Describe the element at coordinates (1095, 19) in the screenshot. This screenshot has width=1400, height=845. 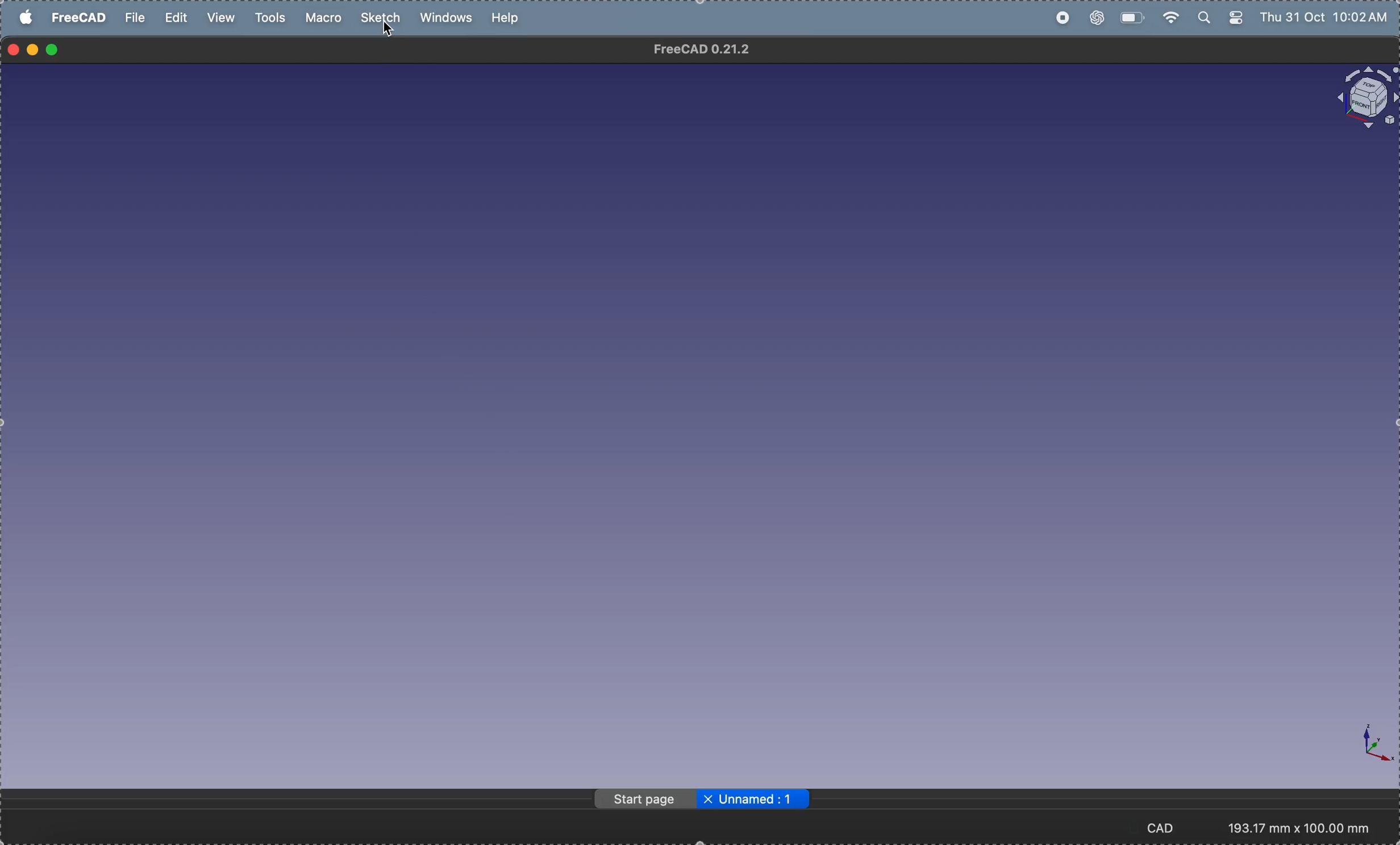
I see `chatgpt` at that location.